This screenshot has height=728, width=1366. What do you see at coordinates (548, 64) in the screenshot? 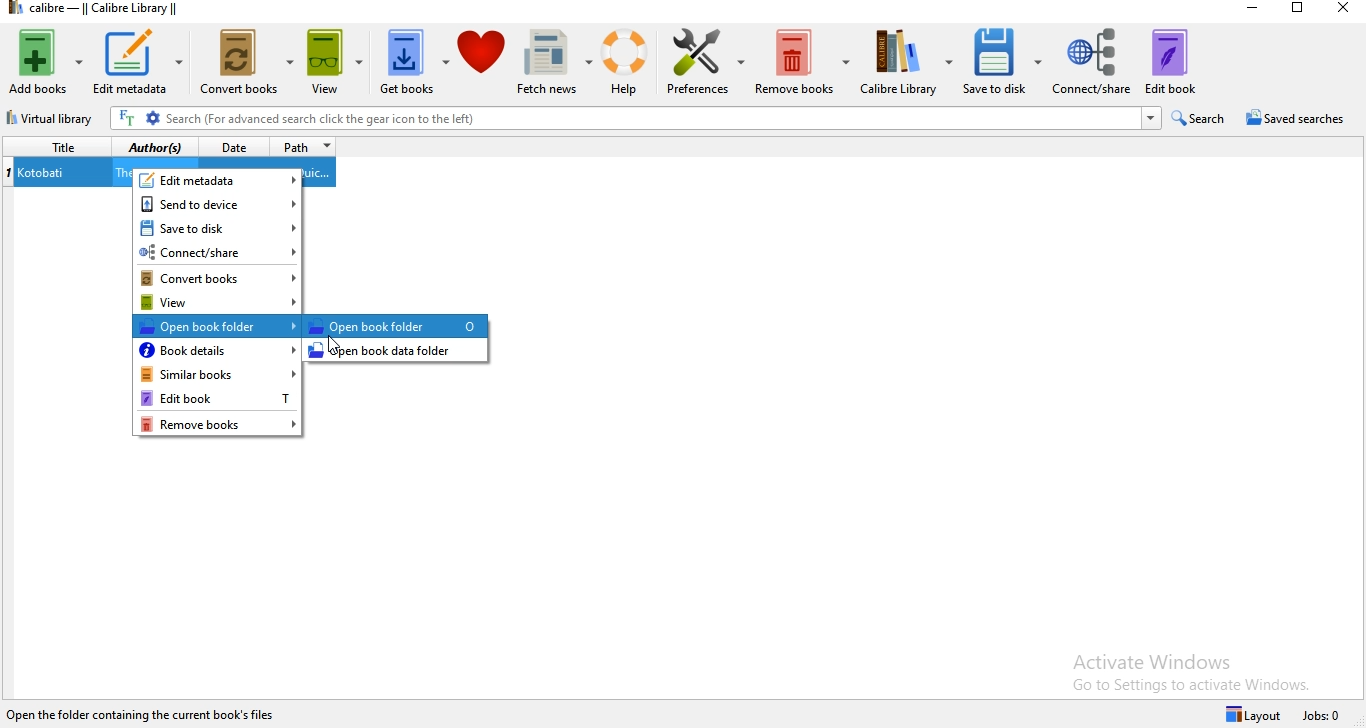
I see `fetch news` at bounding box center [548, 64].